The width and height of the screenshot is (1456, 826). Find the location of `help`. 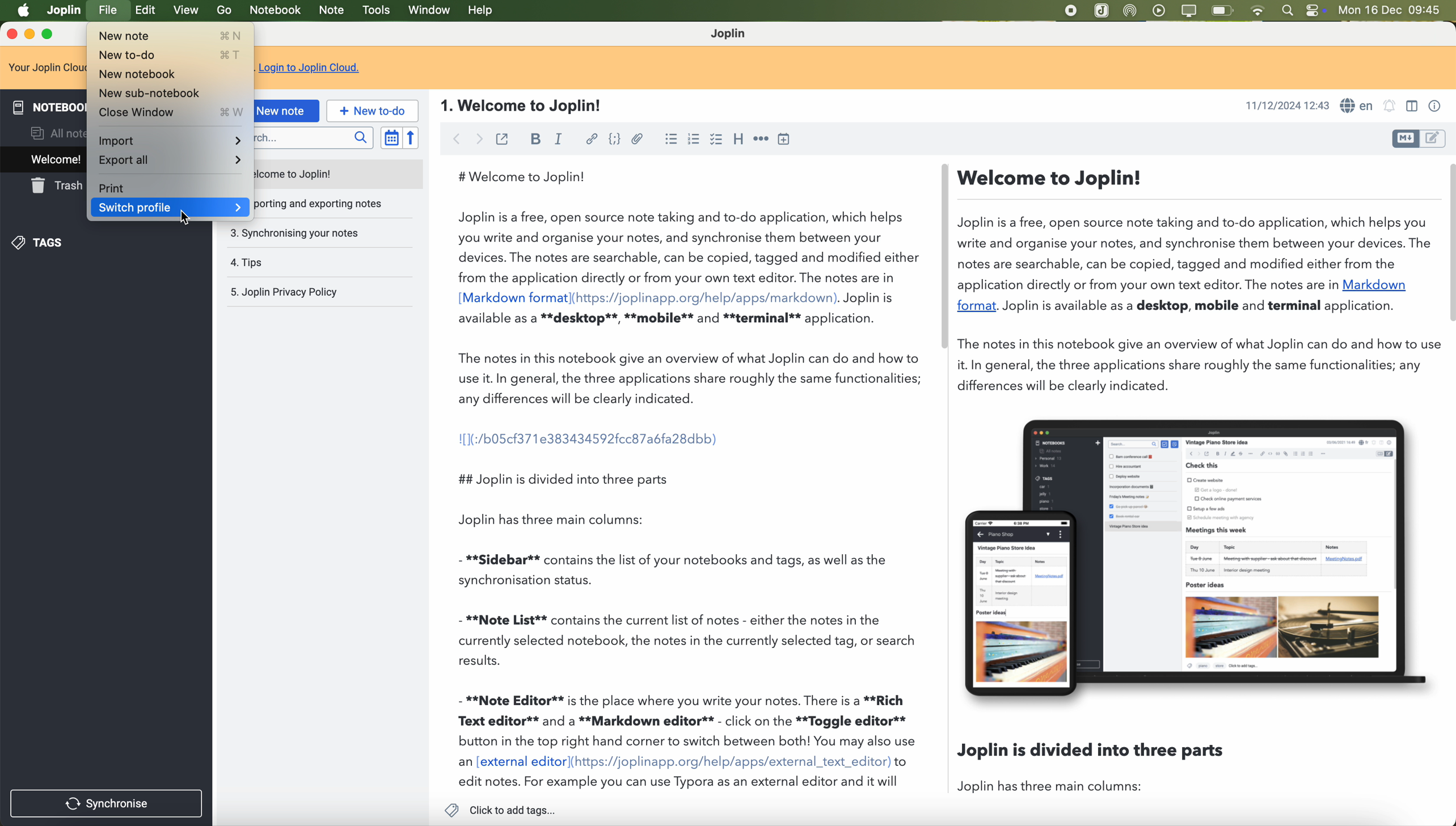

help is located at coordinates (482, 11).